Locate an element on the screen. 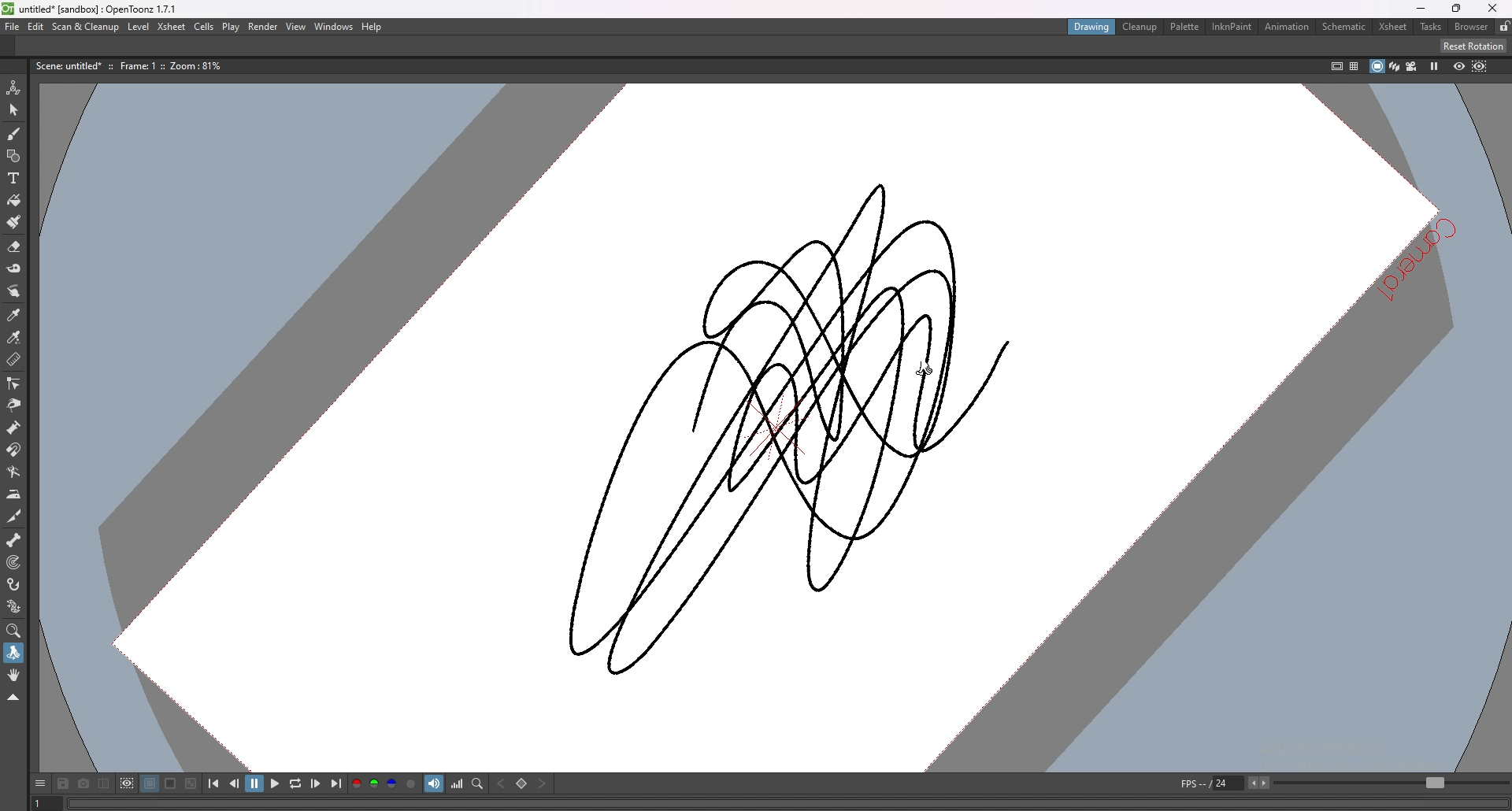 The width and height of the screenshot is (1512, 811). animation is located at coordinates (1288, 27).